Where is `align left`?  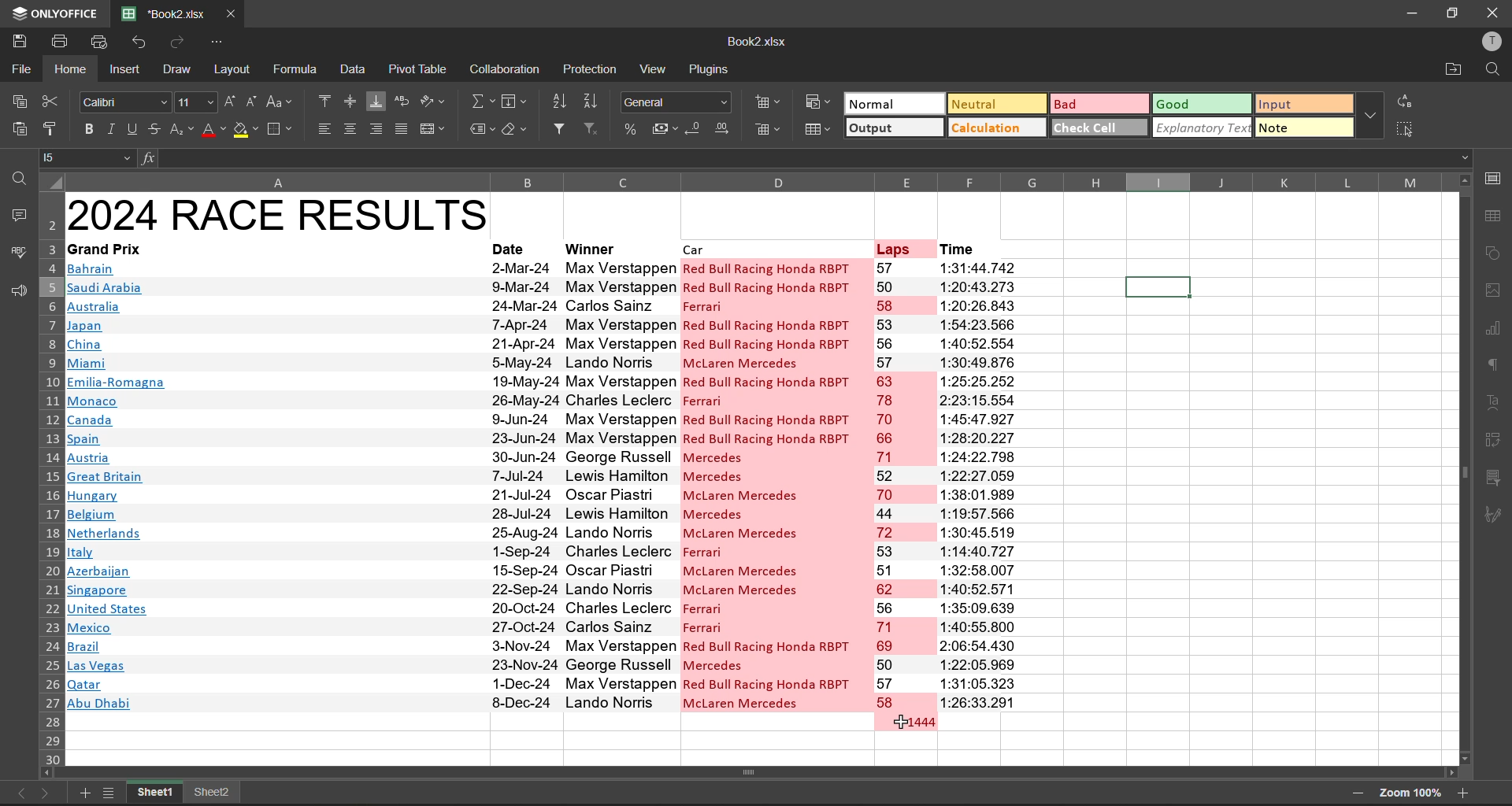
align left is located at coordinates (326, 129).